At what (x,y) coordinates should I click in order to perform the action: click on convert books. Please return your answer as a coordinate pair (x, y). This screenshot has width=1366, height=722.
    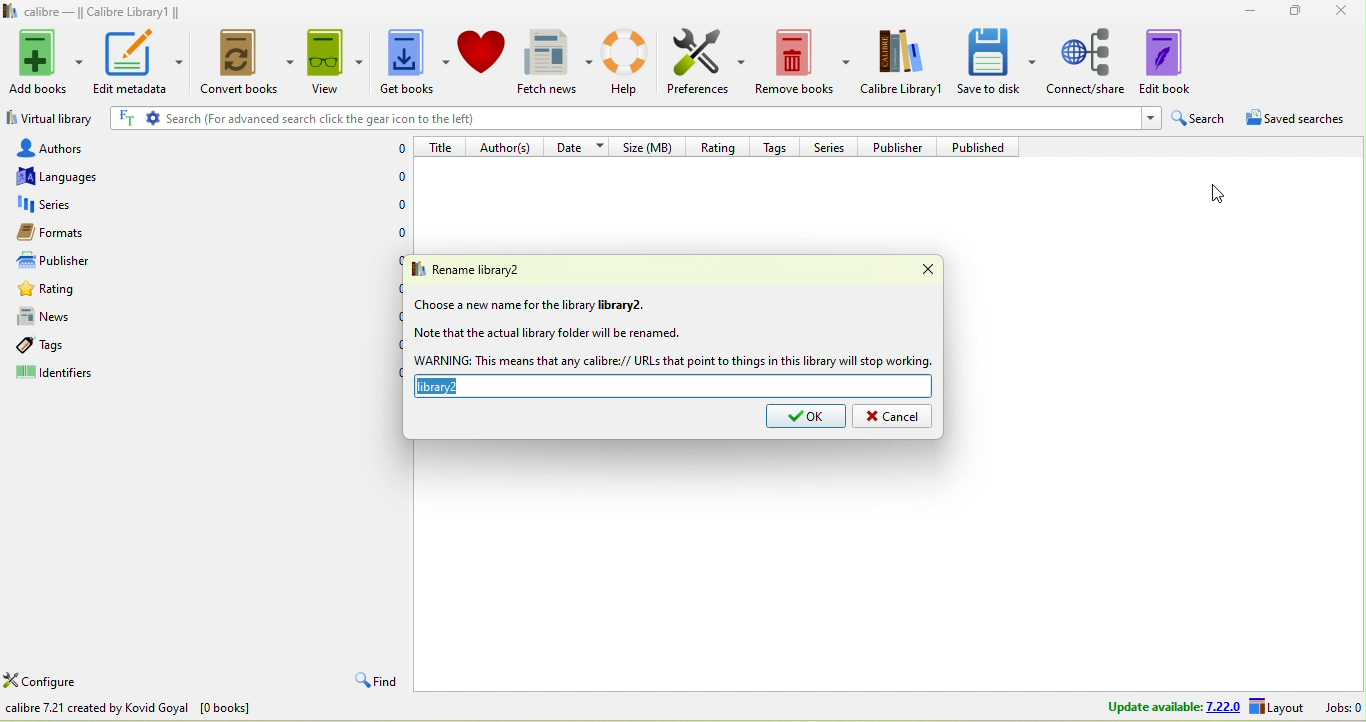
    Looking at the image, I should click on (242, 64).